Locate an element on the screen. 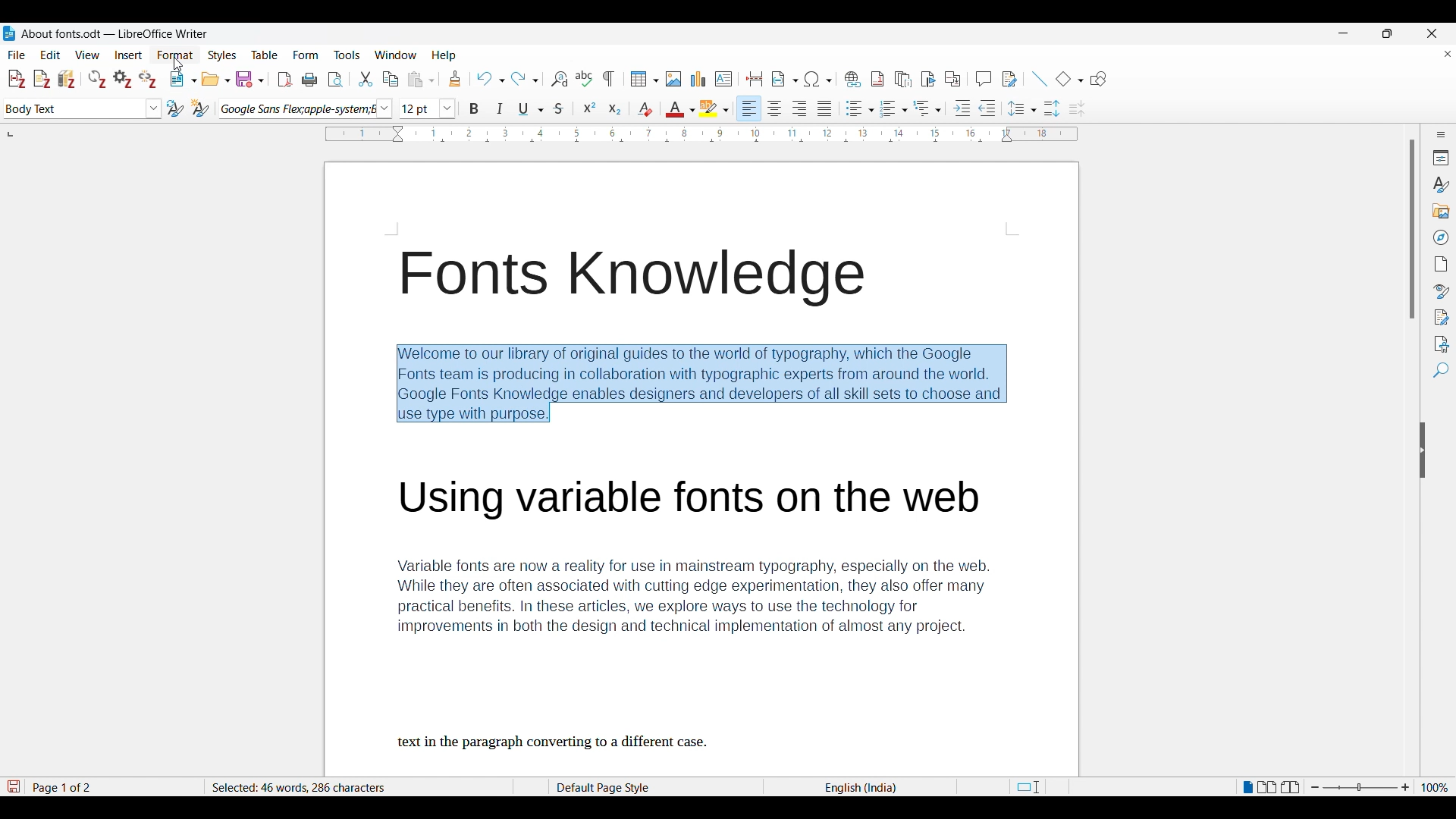  Cursor position unchanged after making selection is located at coordinates (553, 414).